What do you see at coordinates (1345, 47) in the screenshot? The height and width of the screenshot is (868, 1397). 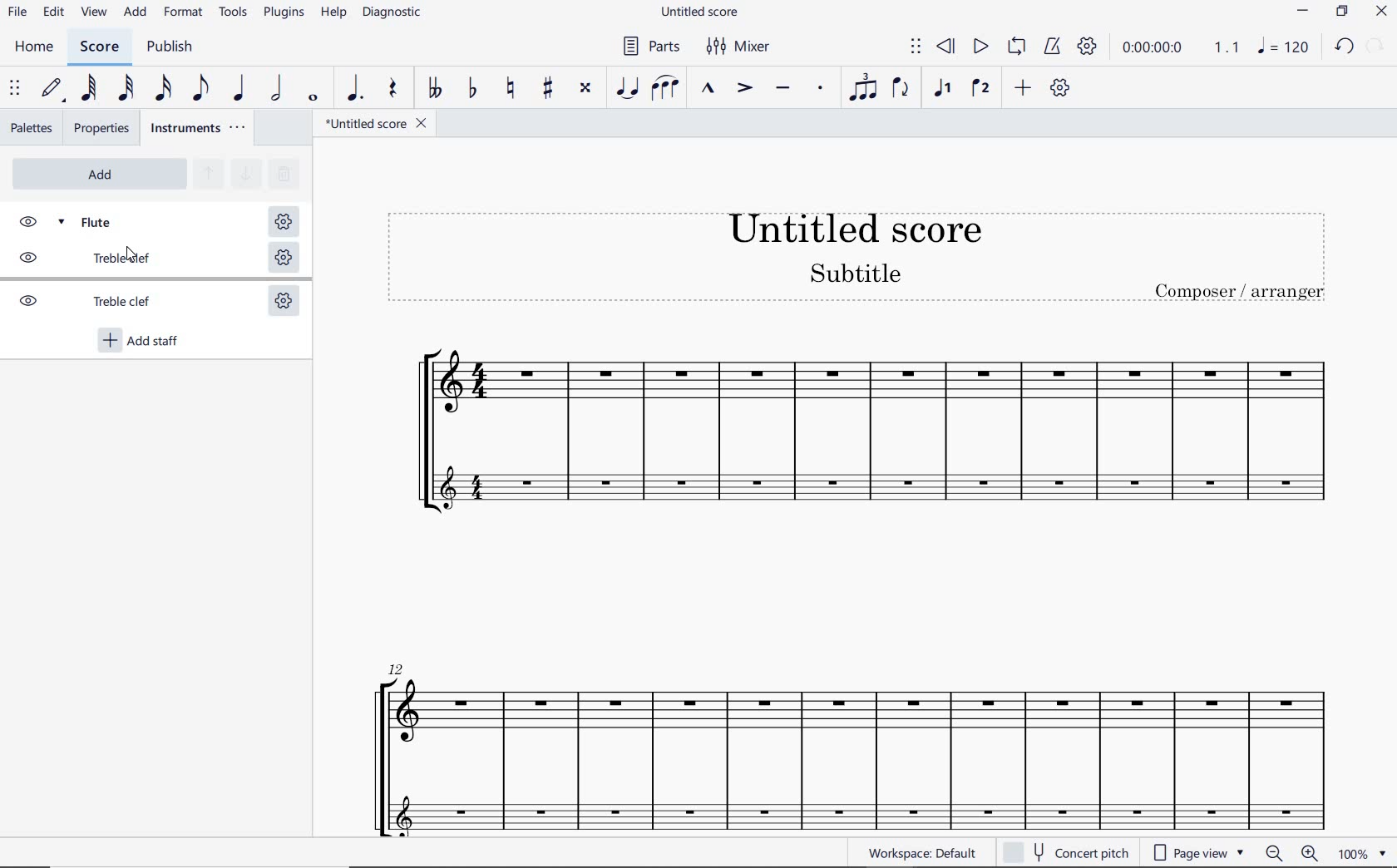 I see `undo` at bounding box center [1345, 47].